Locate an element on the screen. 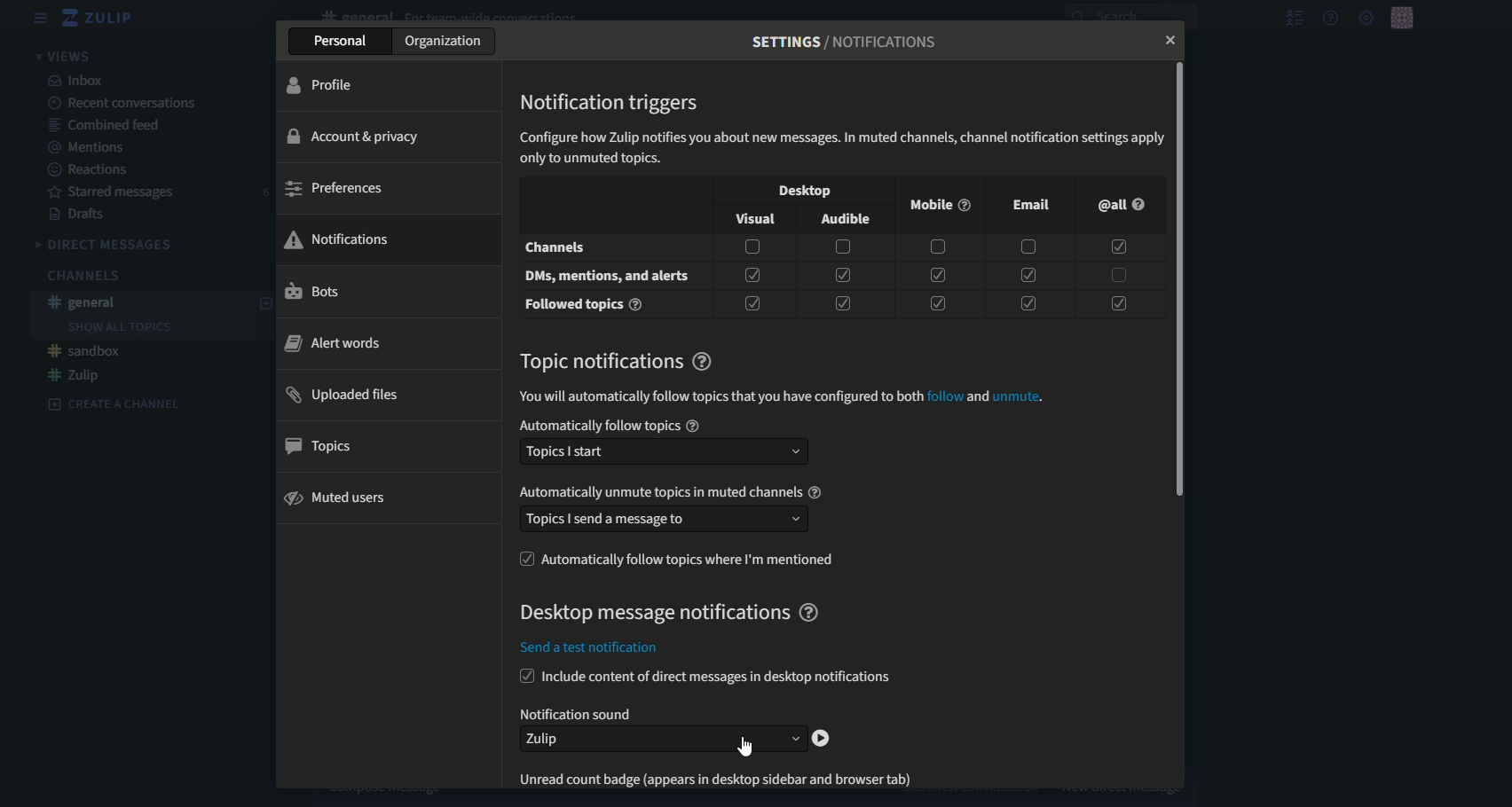 The height and width of the screenshot is (807, 1512). checkbox is located at coordinates (1118, 301).